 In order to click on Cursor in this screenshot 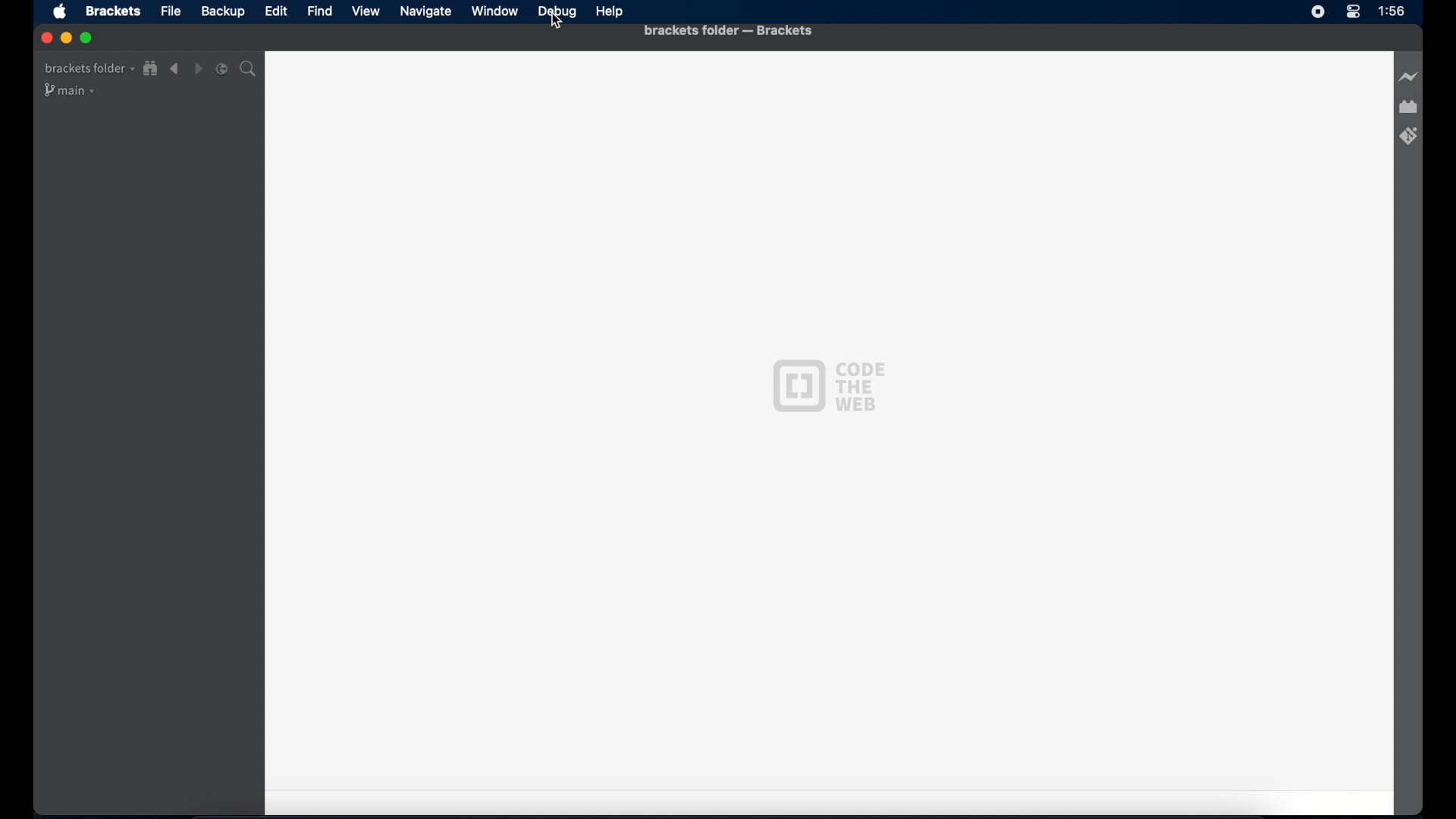, I will do `click(557, 23)`.